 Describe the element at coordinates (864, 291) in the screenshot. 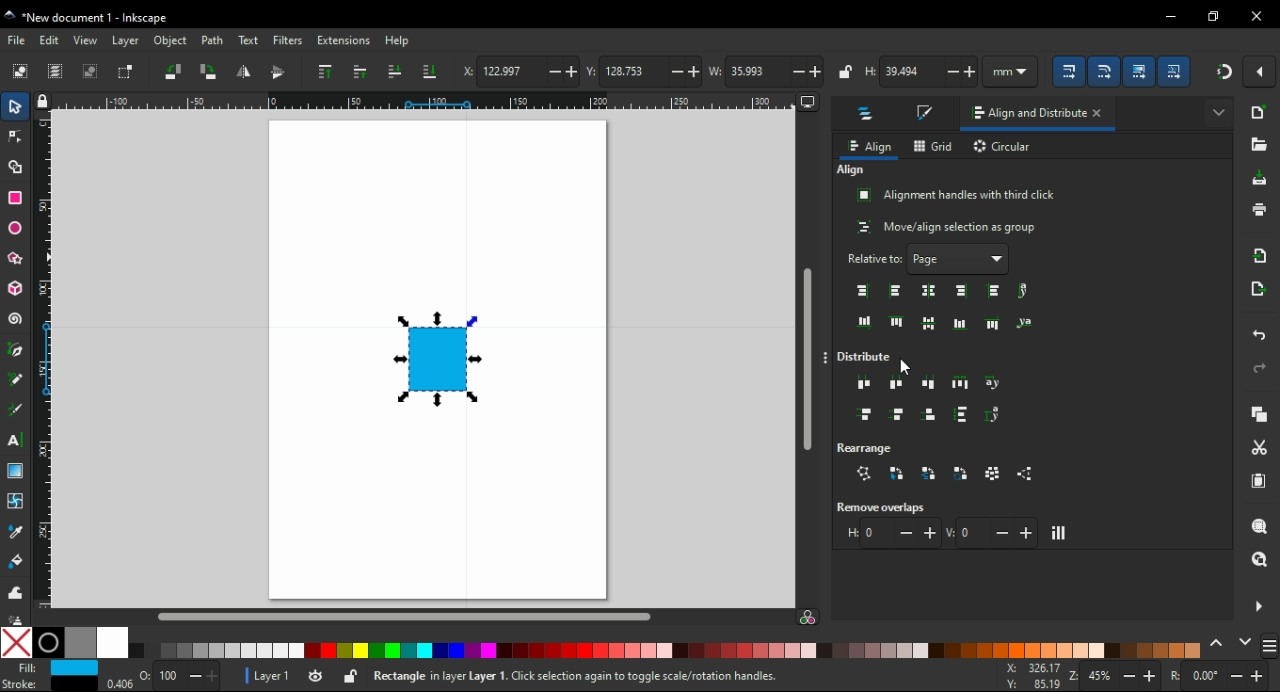

I see `align right edge of objects to left edge of anchor` at that location.